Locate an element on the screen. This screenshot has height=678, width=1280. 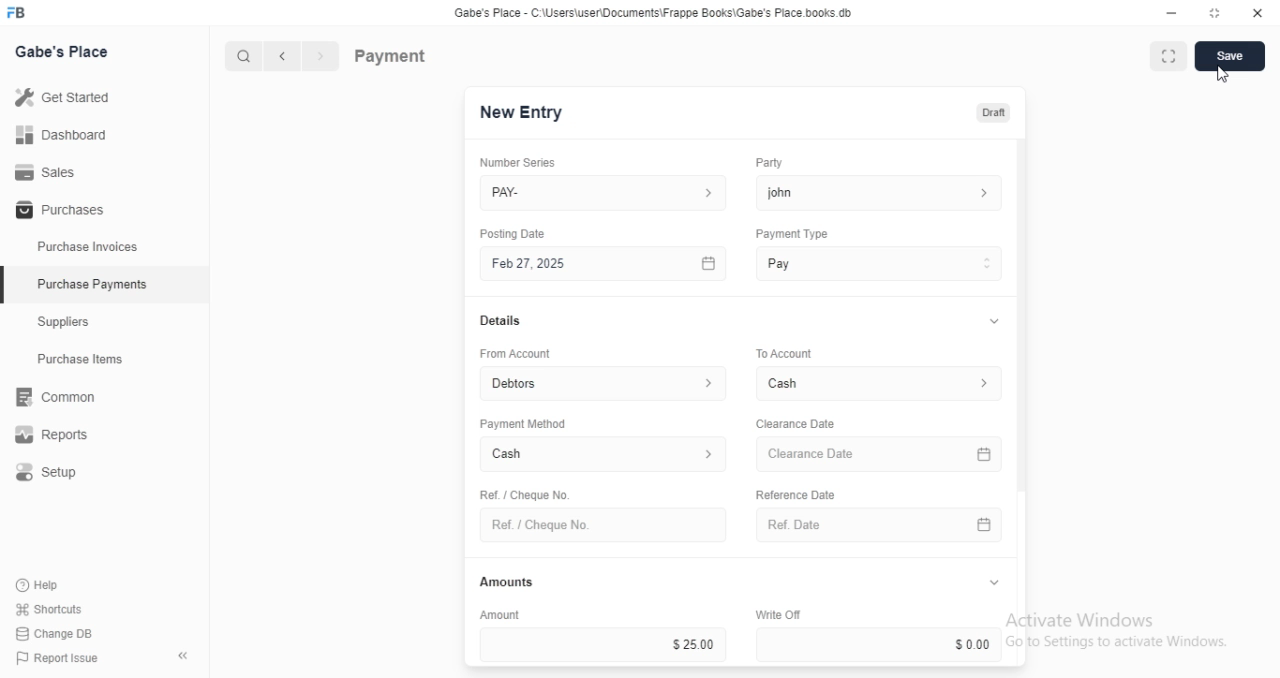
Debtors is located at coordinates (605, 382).